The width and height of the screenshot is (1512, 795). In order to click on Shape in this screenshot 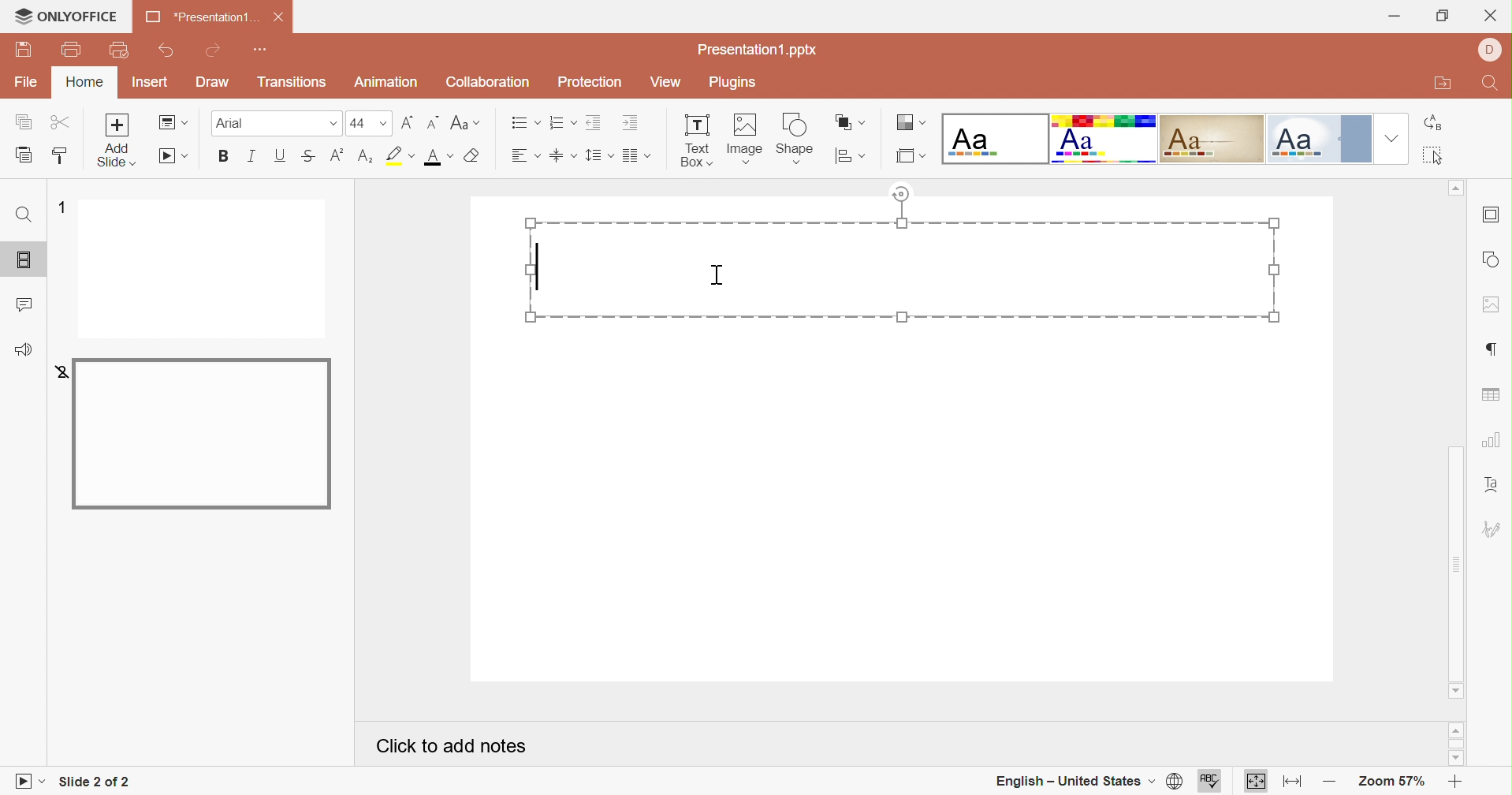, I will do `click(797, 140)`.